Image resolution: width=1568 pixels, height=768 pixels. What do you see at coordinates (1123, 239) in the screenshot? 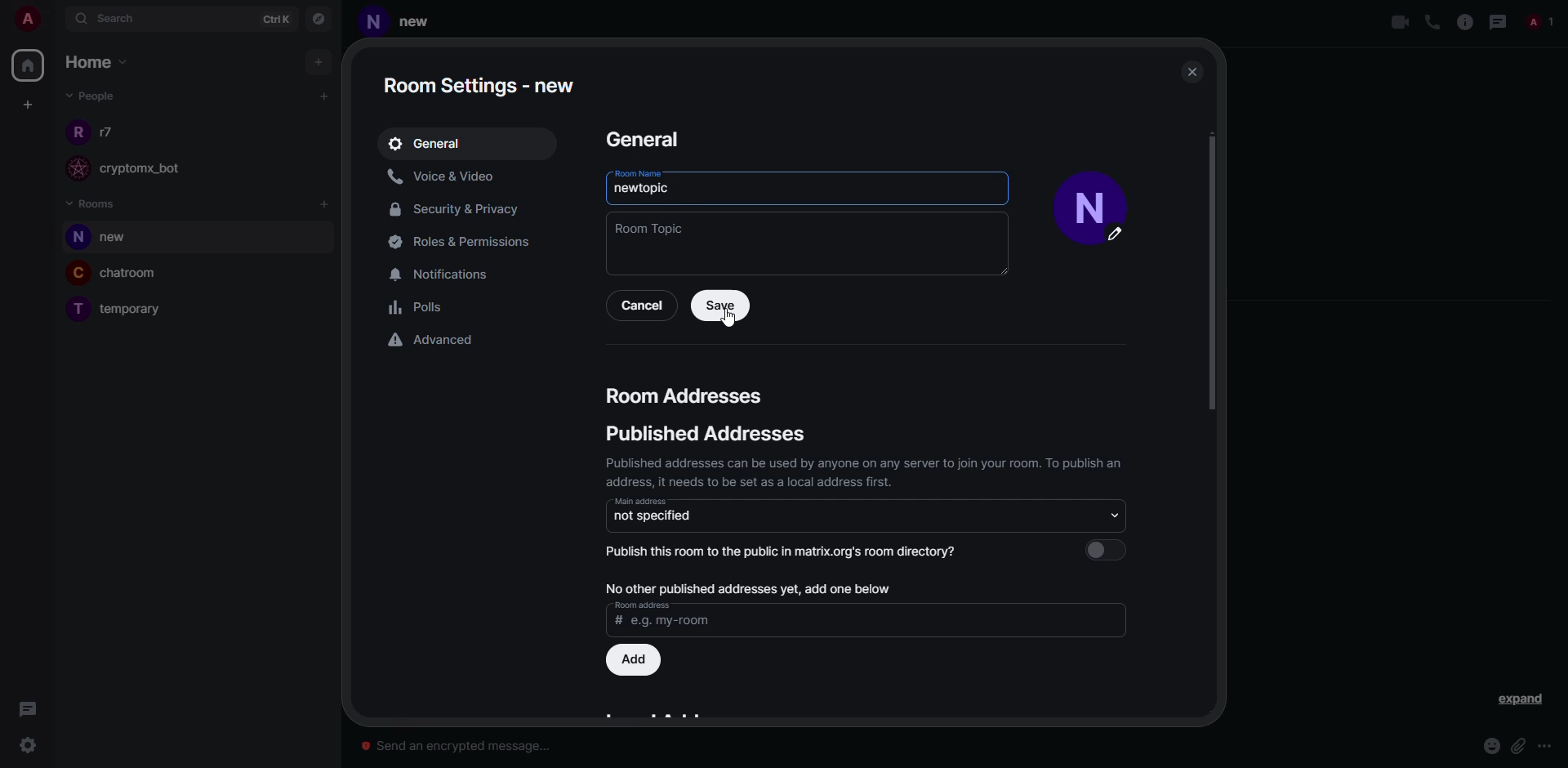
I see `edit` at bounding box center [1123, 239].